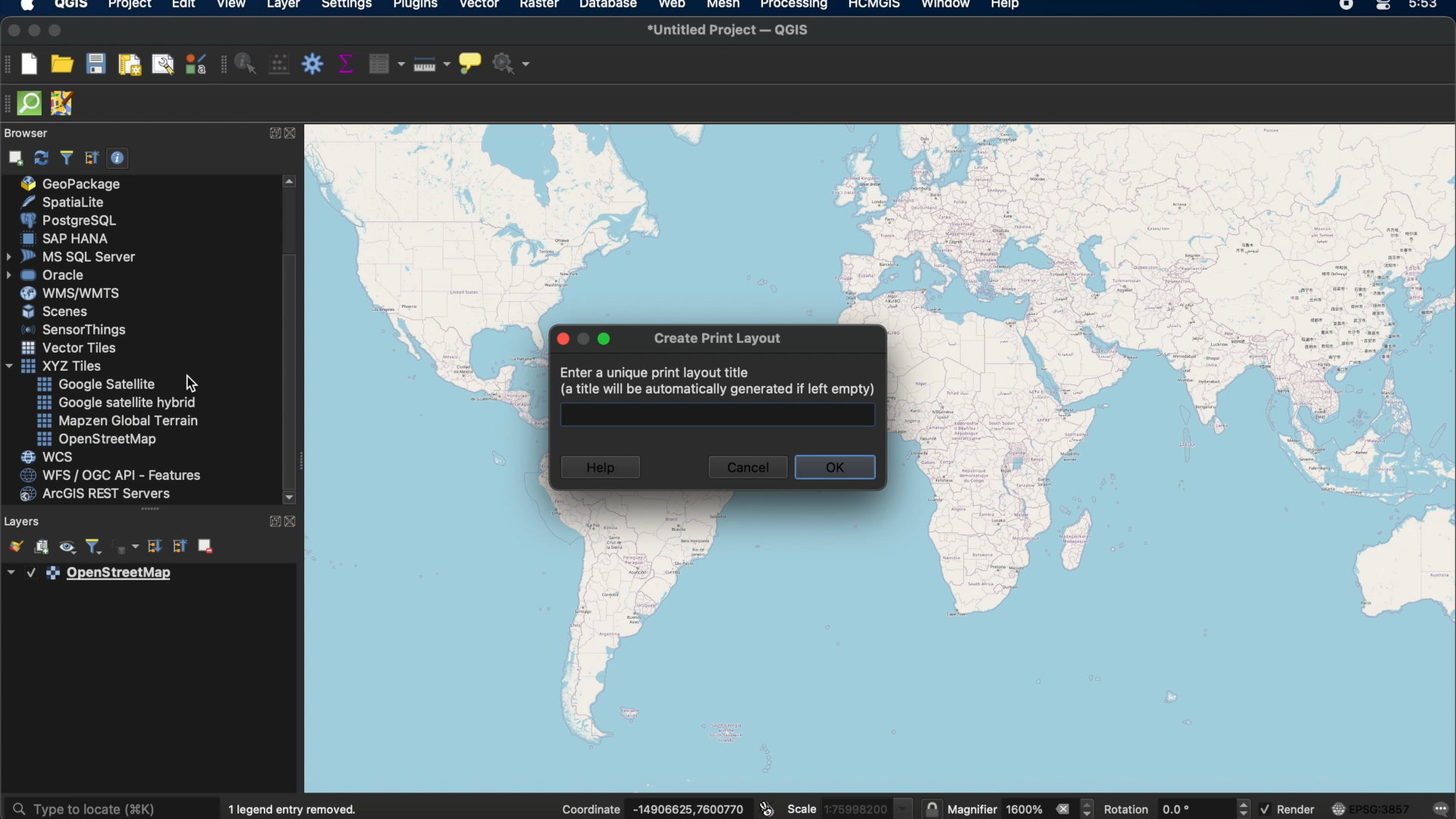  What do you see at coordinates (180, 545) in the screenshot?
I see `collapse all` at bounding box center [180, 545].